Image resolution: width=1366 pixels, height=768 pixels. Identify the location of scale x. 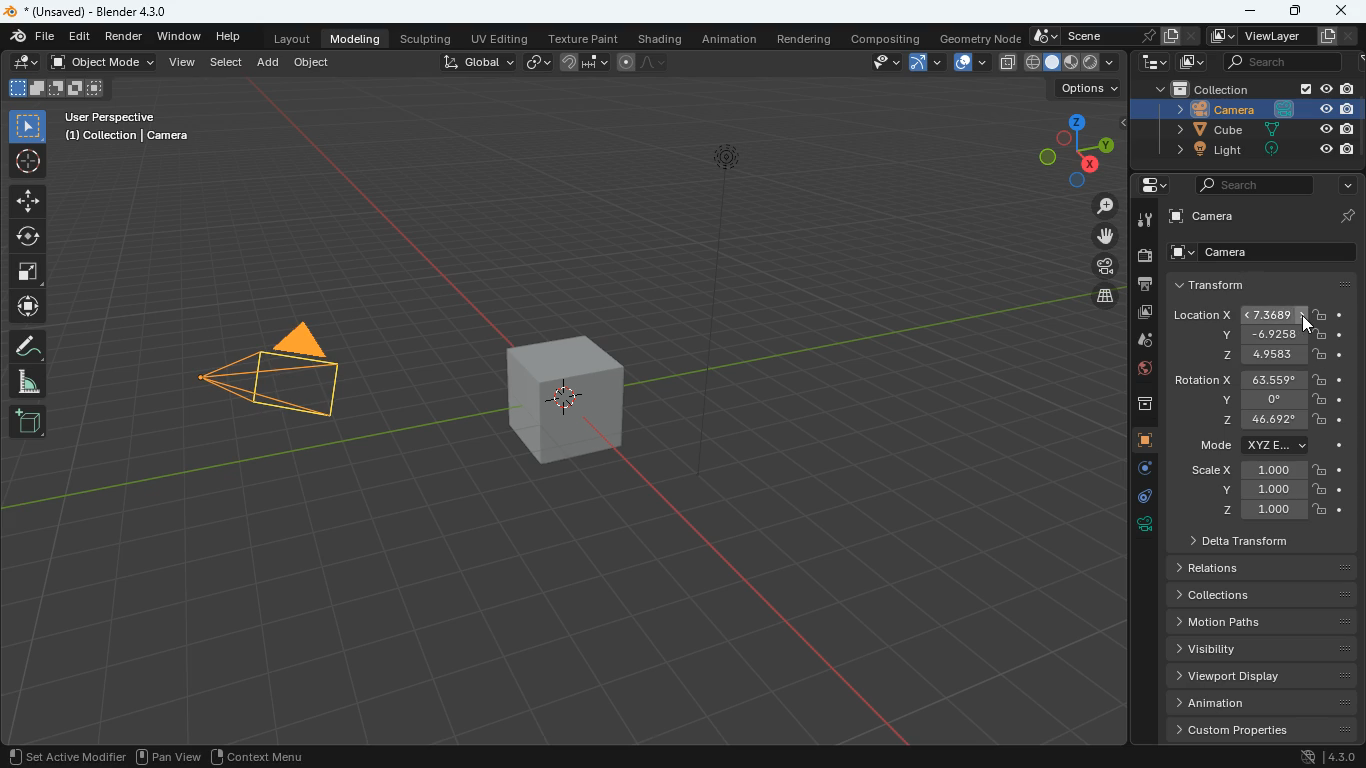
(1269, 468).